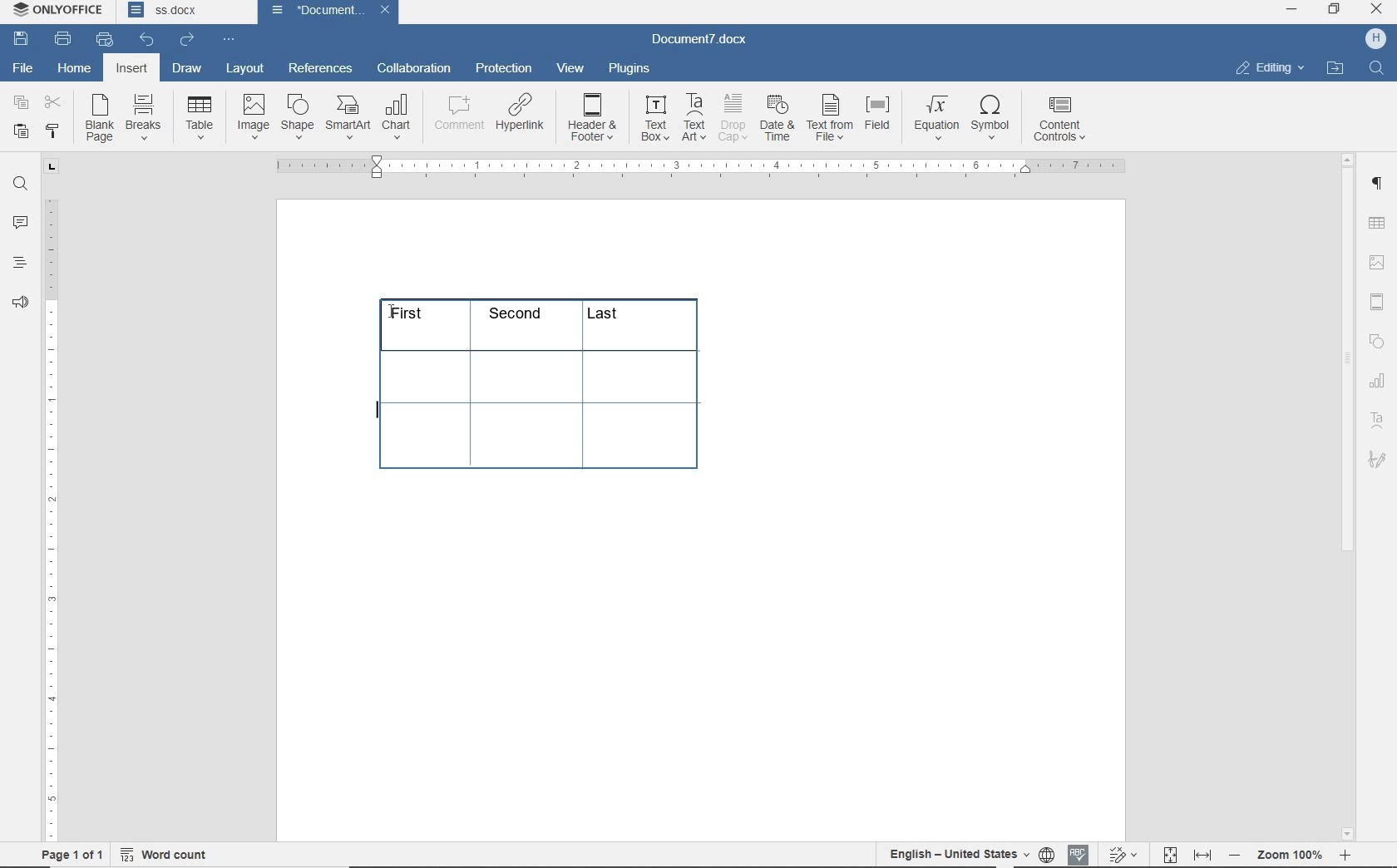 The width and height of the screenshot is (1397, 868). What do you see at coordinates (1376, 223) in the screenshot?
I see `TABLE` at bounding box center [1376, 223].